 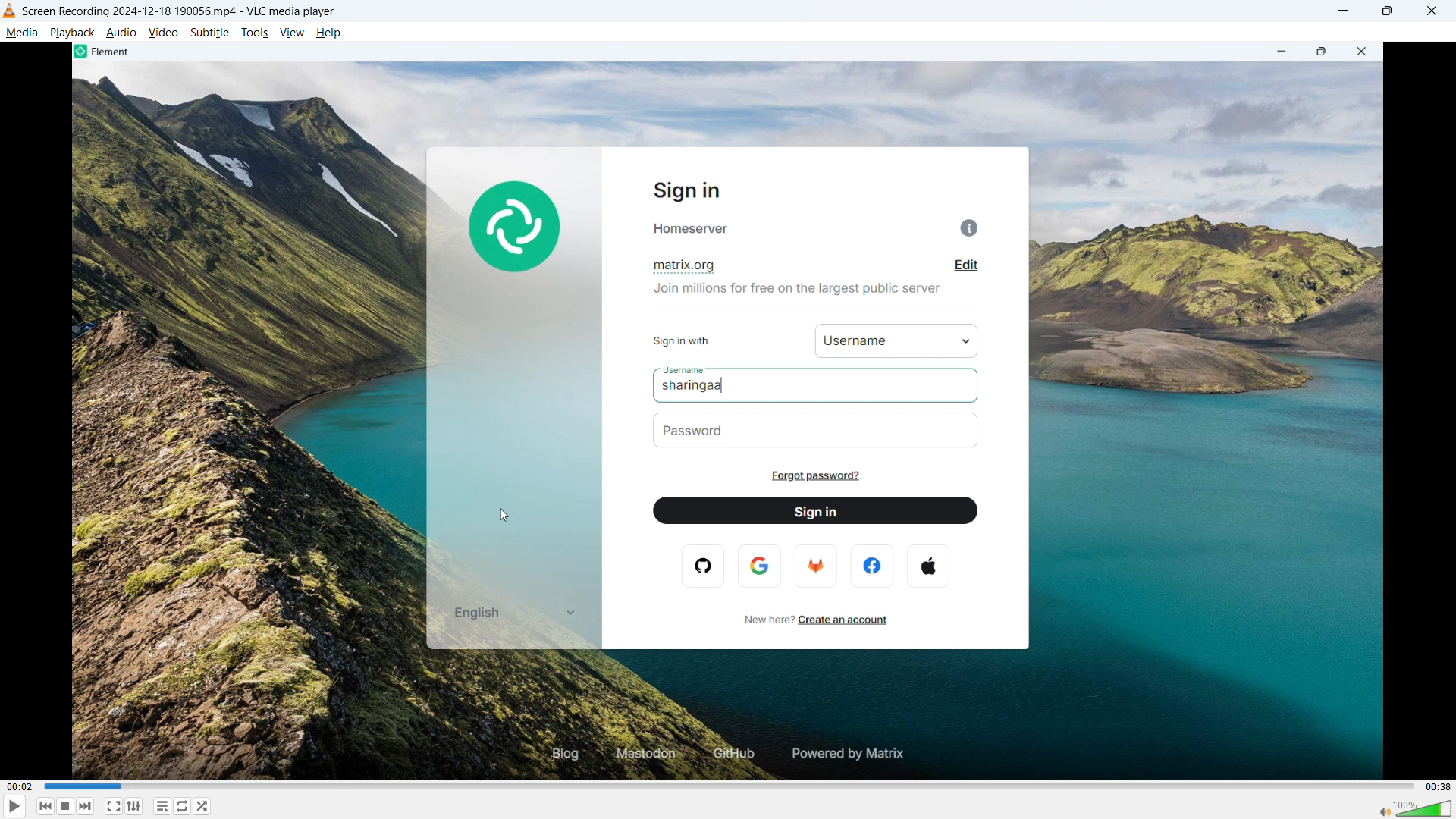 I want to click on View , so click(x=291, y=33).